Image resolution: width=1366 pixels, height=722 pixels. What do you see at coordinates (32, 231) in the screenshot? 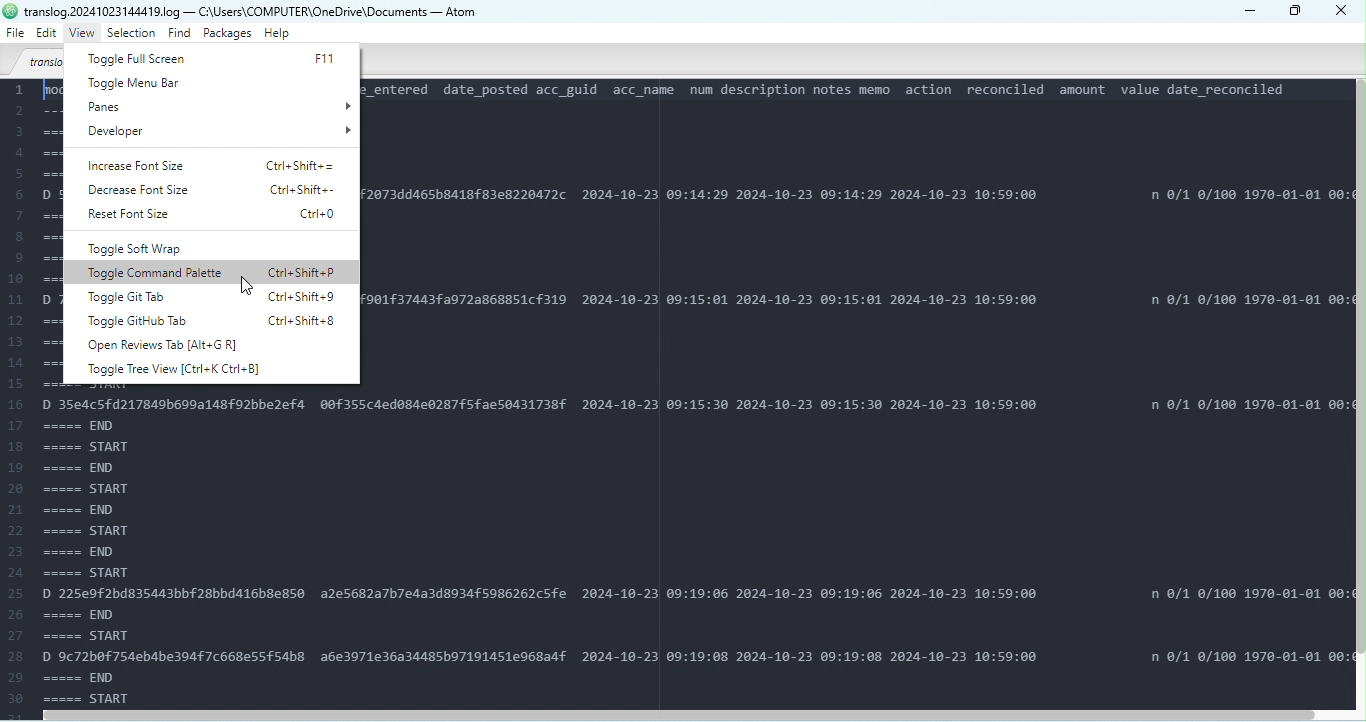
I see `number series ` at bounding box center [32, 231].